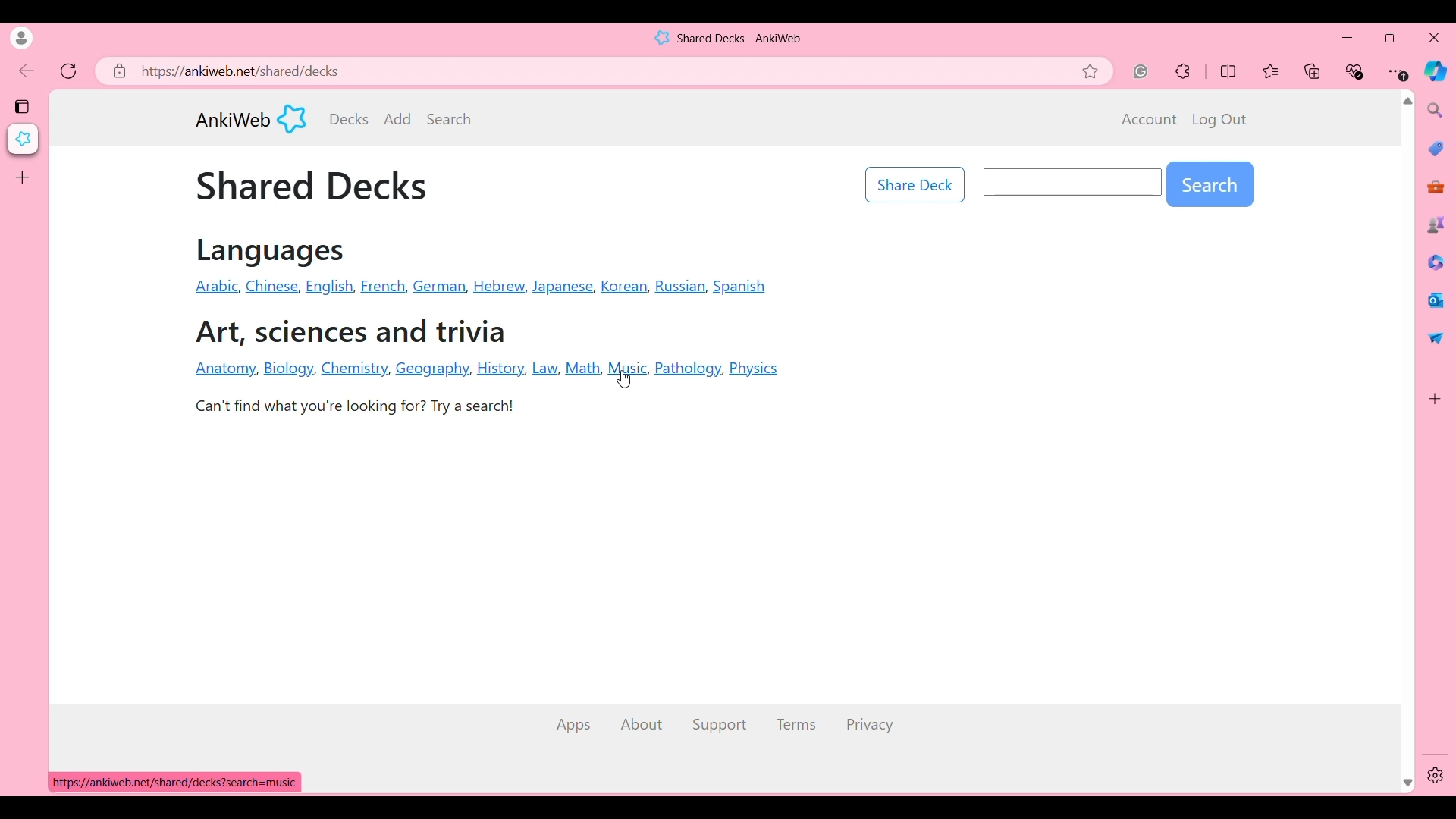  Describe the element at coordinates (251, 69) in the screenshot. I see `https://ankiweb.net/shared/decks` at that location.